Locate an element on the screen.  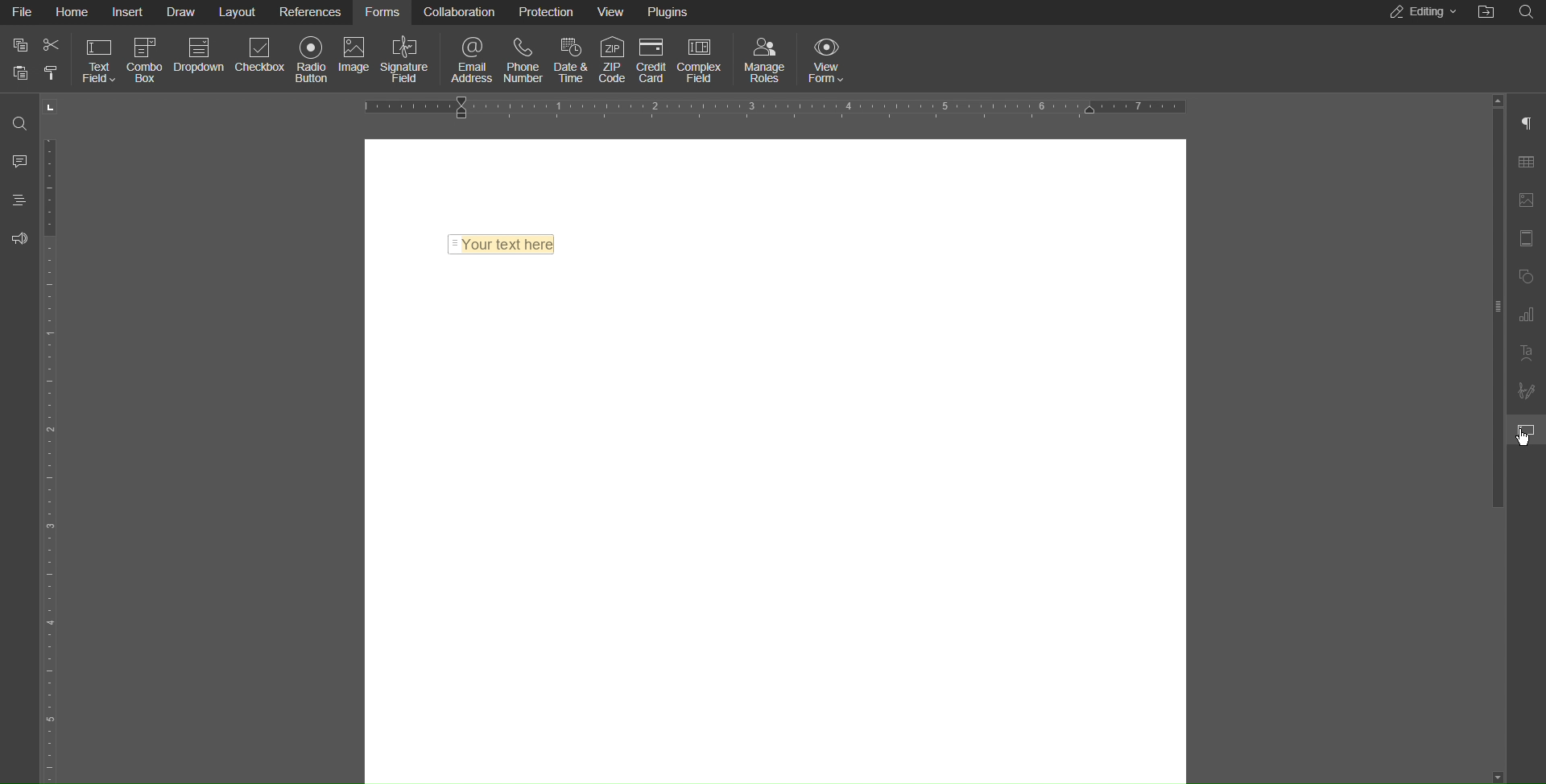
Radio Button is located at coordinates (313, 60).